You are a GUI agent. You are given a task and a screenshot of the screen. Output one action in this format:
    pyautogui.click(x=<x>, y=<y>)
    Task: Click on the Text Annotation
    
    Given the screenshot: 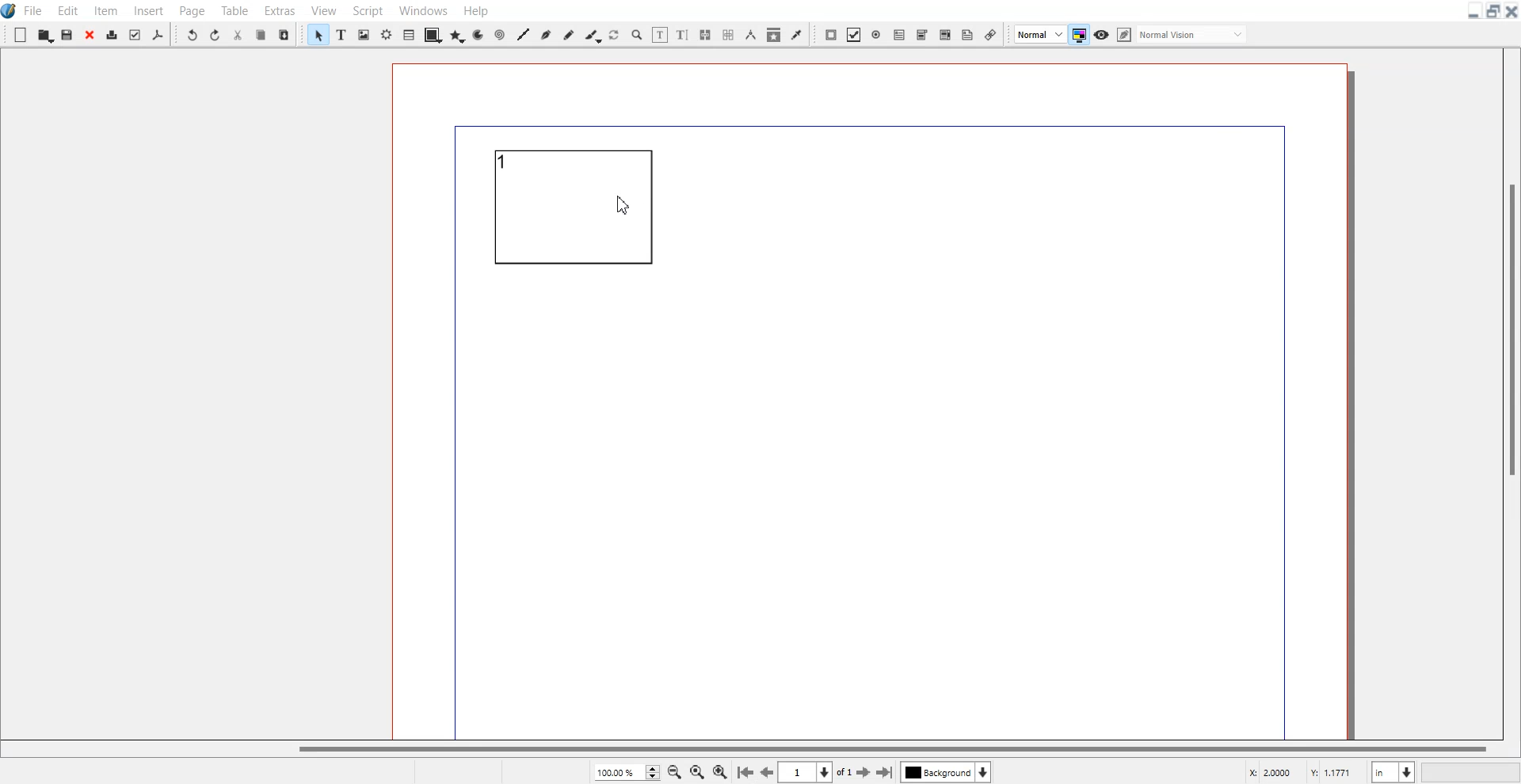 What is the action you would take?
    pyautogui.click(x=967, y=35)
    